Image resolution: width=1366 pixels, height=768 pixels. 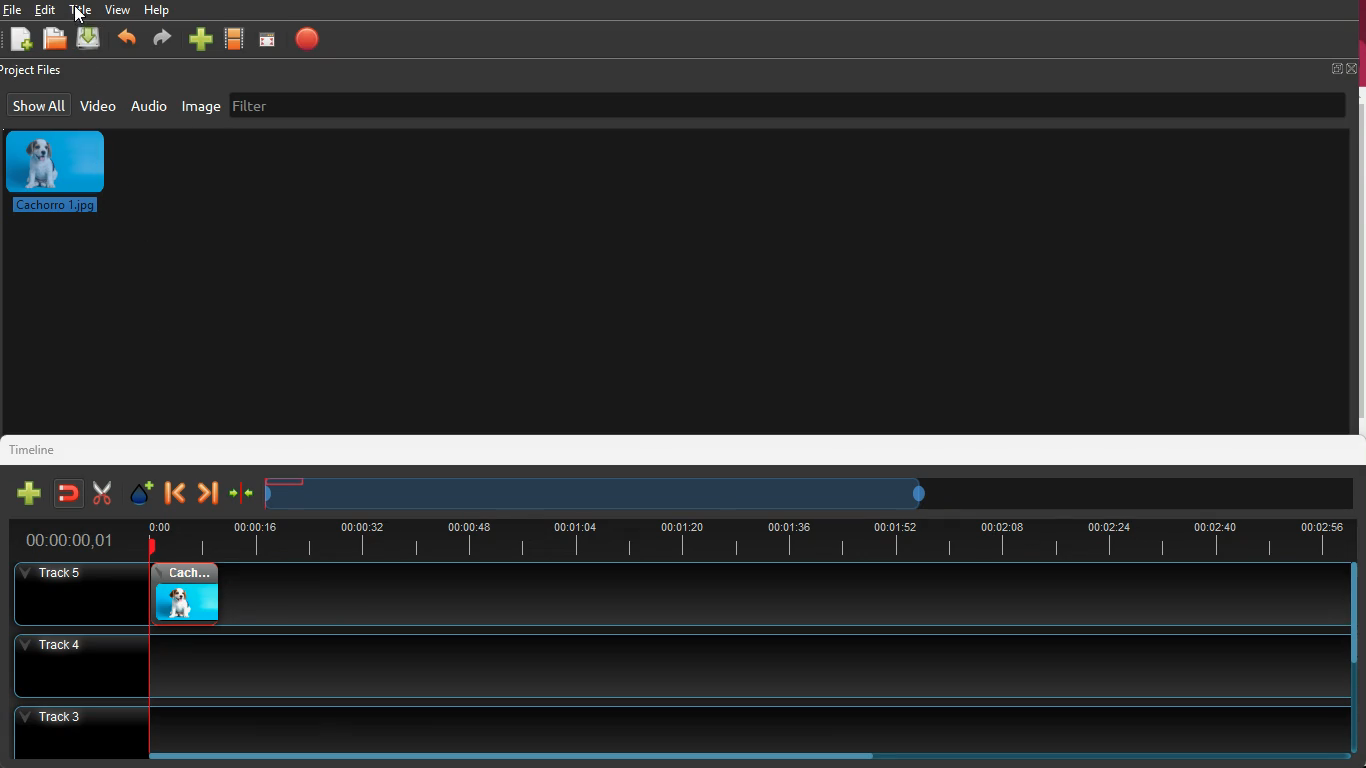 I want to click on file, so click(x=13, y=10).